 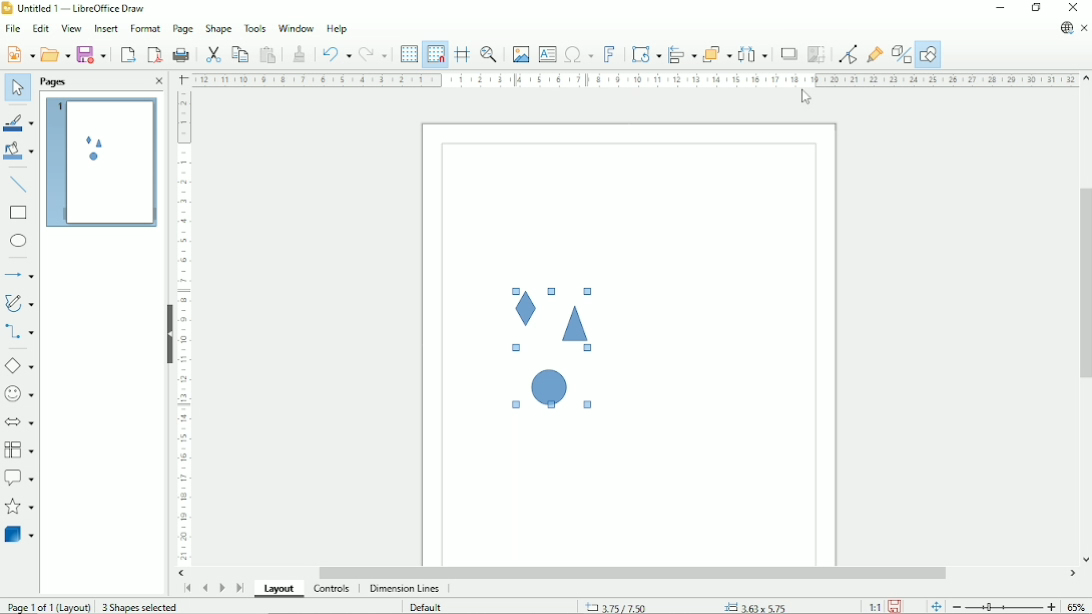 What do you see at coordinates (21, 275) in the screenshot?
I see `Lines and arrows` at bounding box center [21, 275].